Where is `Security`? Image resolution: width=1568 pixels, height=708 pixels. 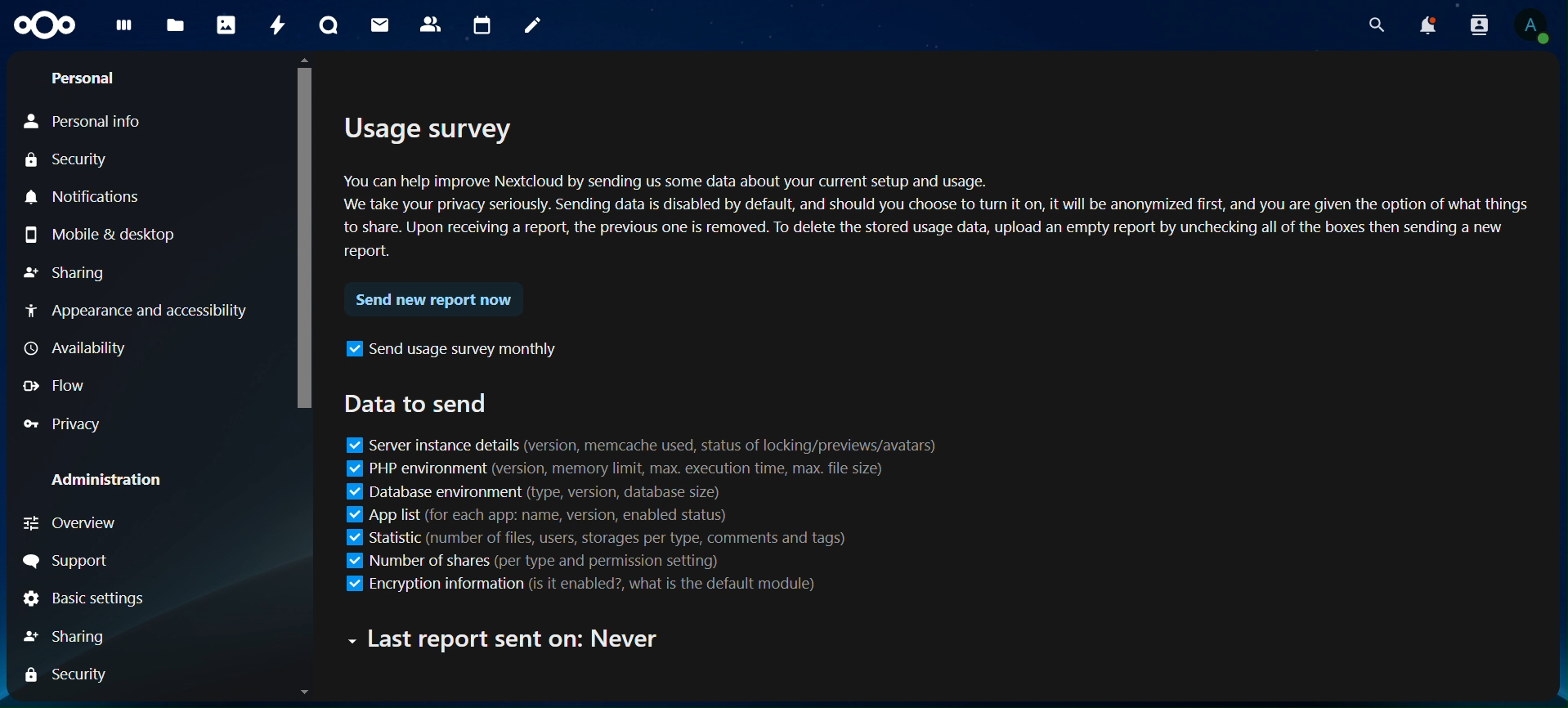 Security is located at coordinates (62, 675).